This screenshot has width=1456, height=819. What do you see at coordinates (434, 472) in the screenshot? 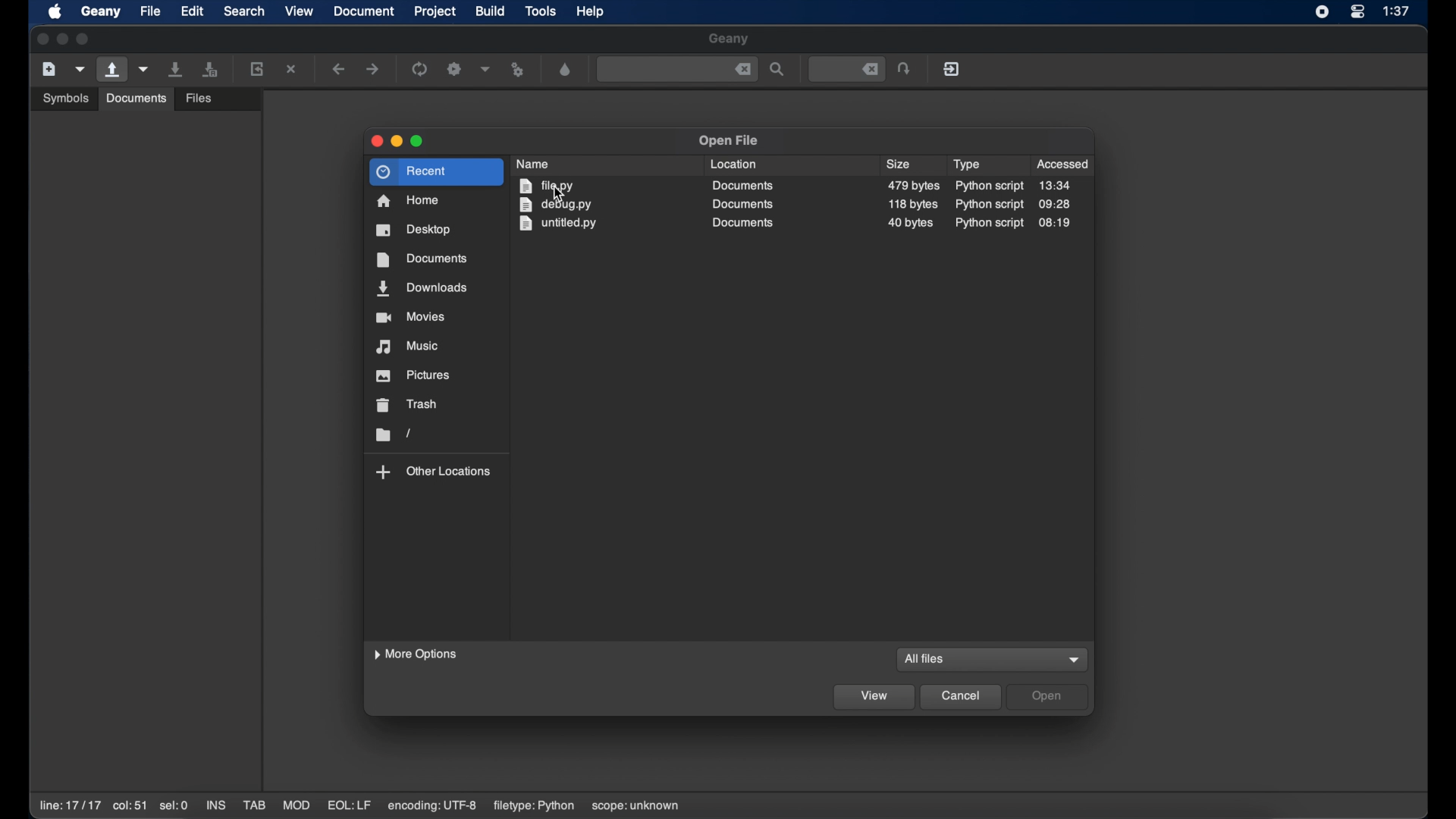
I see `other locations` at bounding box center [434, 472].